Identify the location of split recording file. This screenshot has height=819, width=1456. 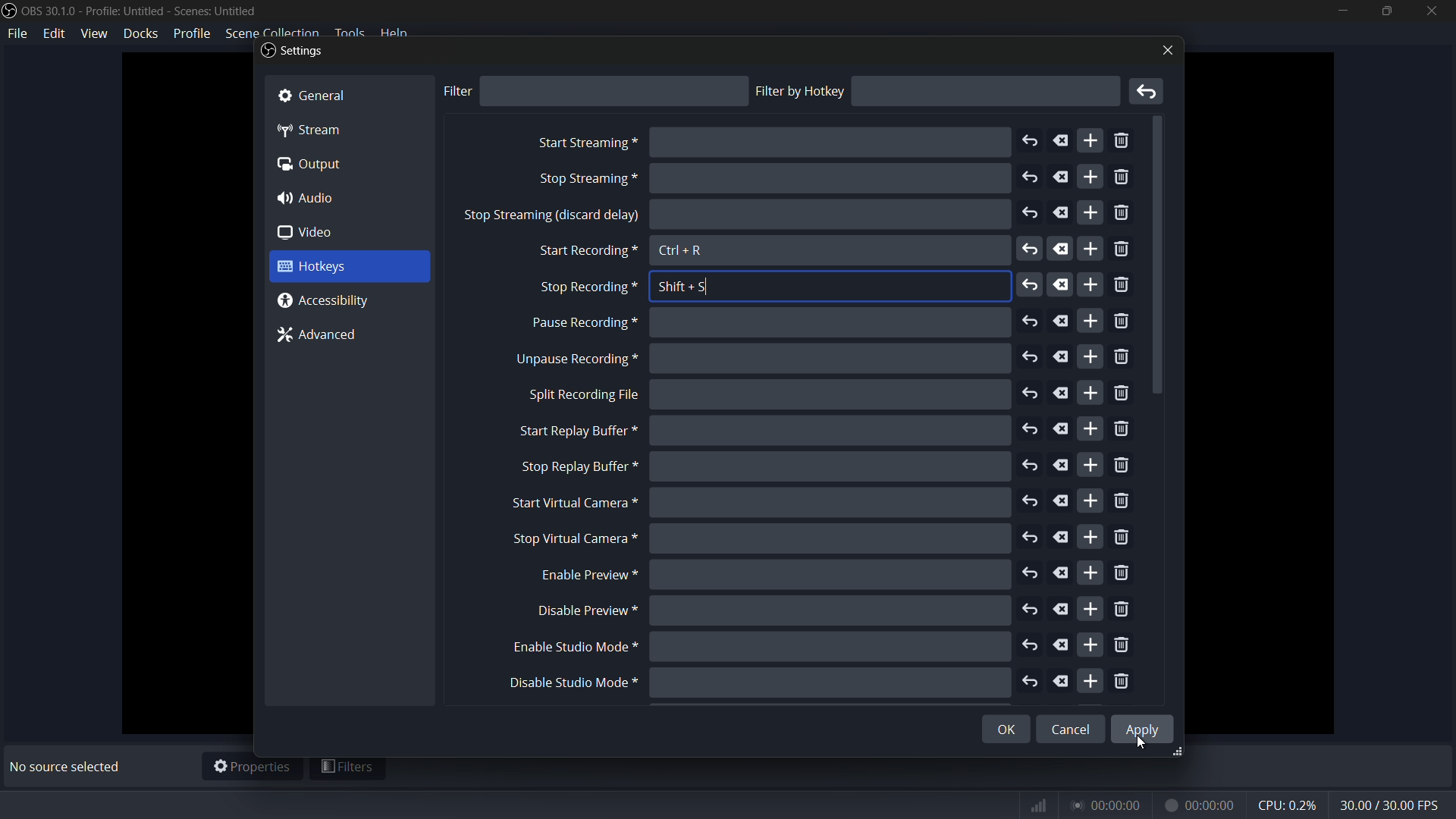
(583, 395).